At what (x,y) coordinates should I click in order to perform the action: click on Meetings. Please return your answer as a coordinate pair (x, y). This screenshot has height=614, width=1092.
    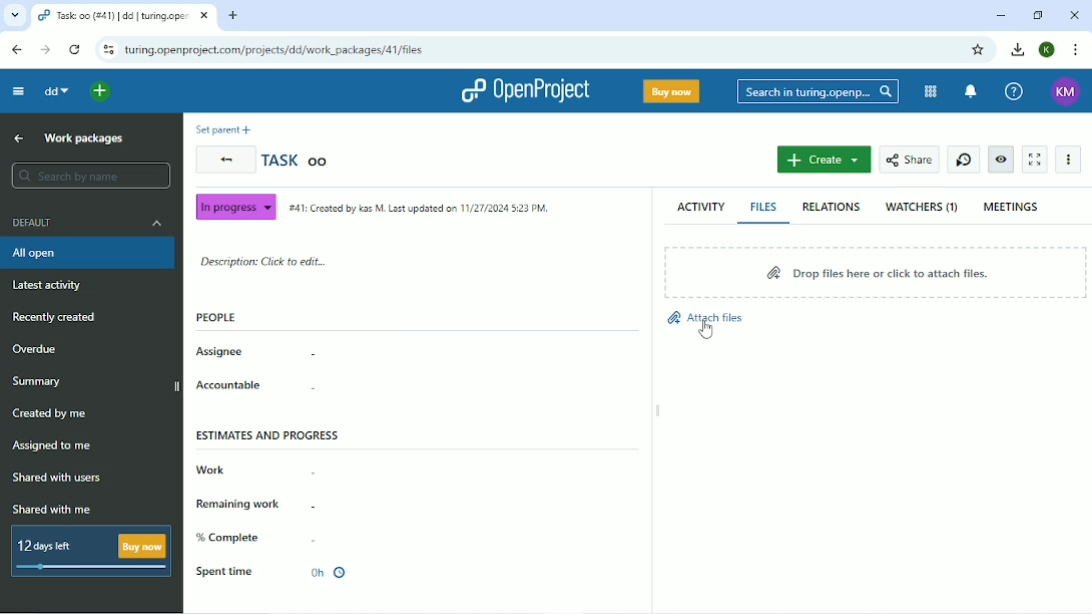
    Looking at the image, I should click on (1012, 207).